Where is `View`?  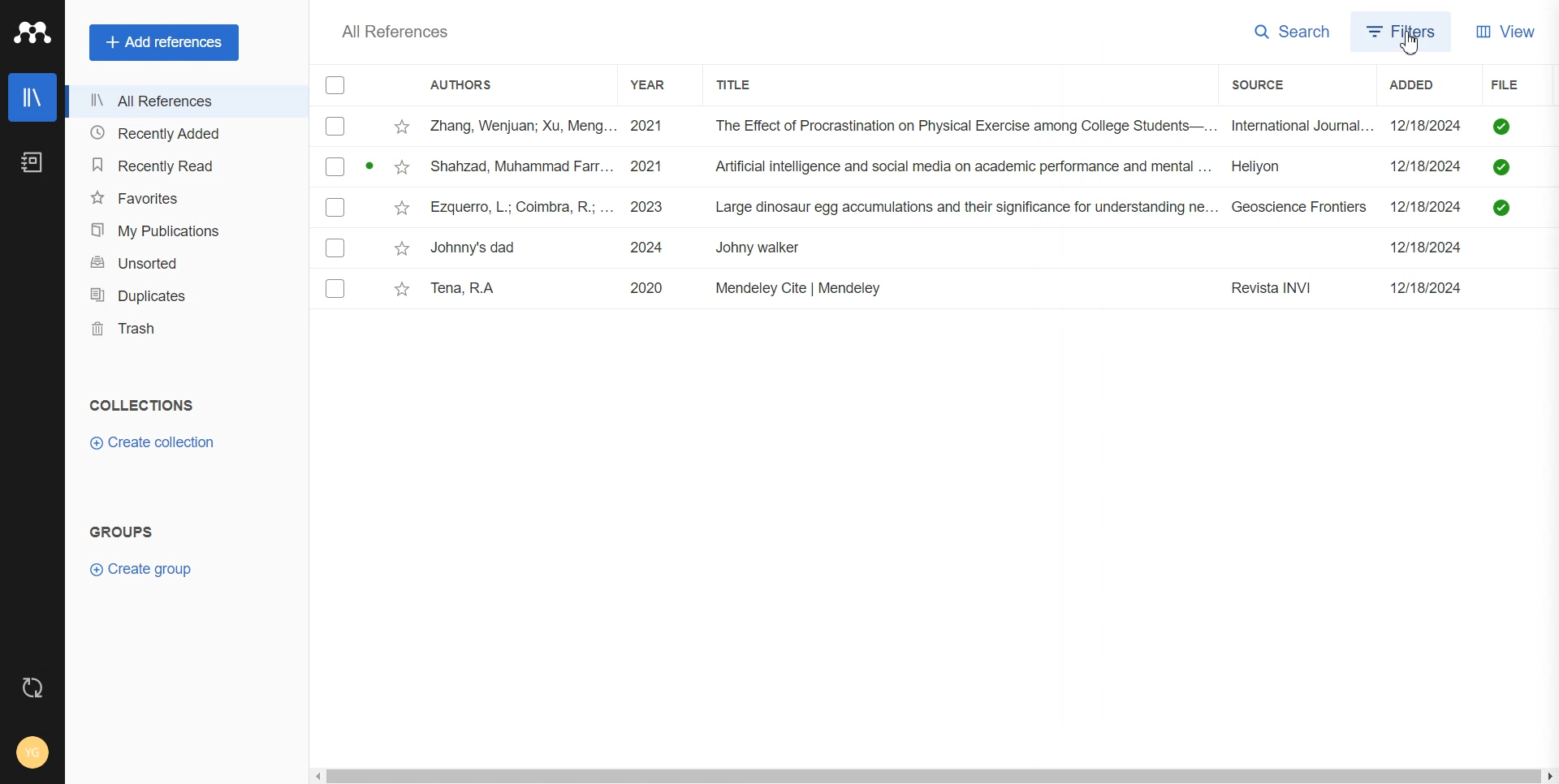 View is located at coordinates (1506, 32).